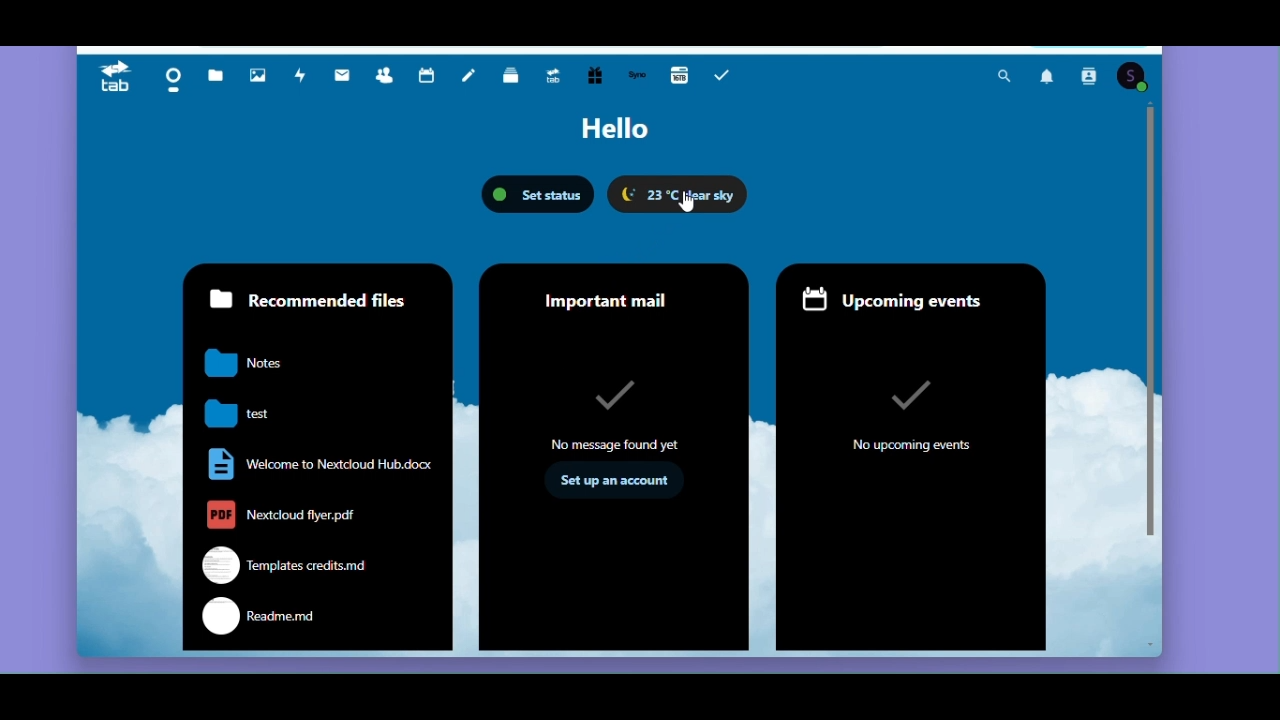 The height and width of the screenshot is (720, 1280). What do you see at coordinates (275, 515) in the screenshot?
I see `nextcloud flyer.pdf` at bounding box center [275, 515].